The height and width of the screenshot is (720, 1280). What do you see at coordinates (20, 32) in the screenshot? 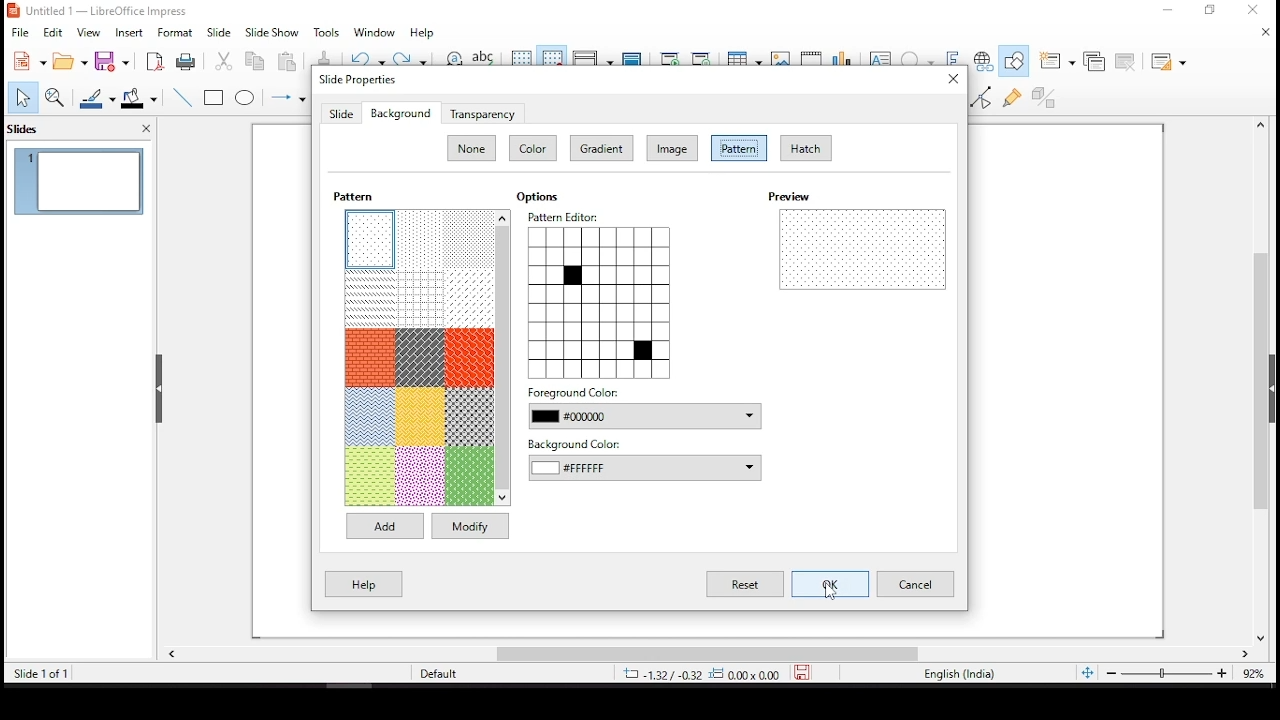
I see `file` at bounding box center [20, 32].